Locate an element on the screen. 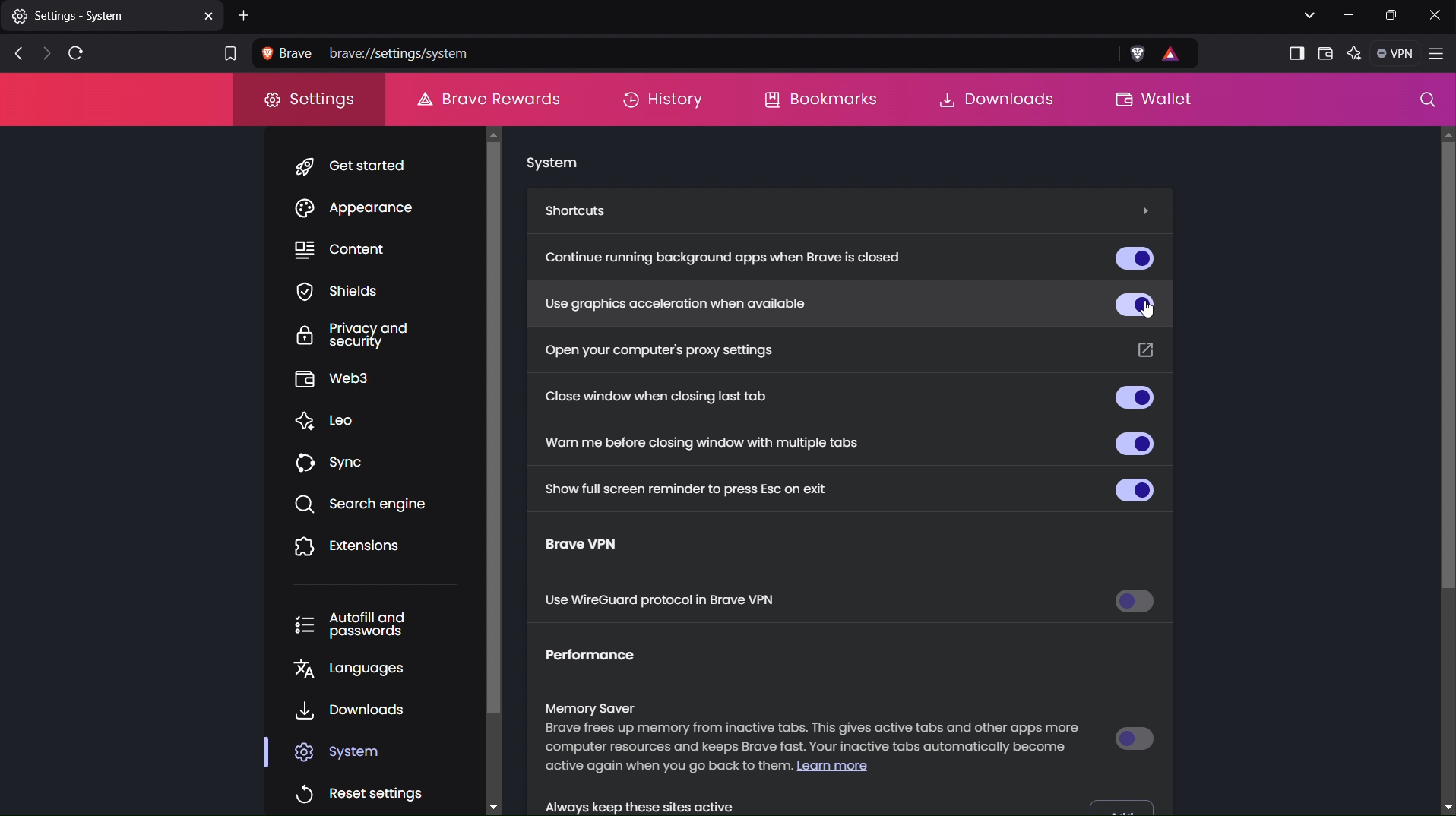  BUtton is located at coordinates (1132, 488).